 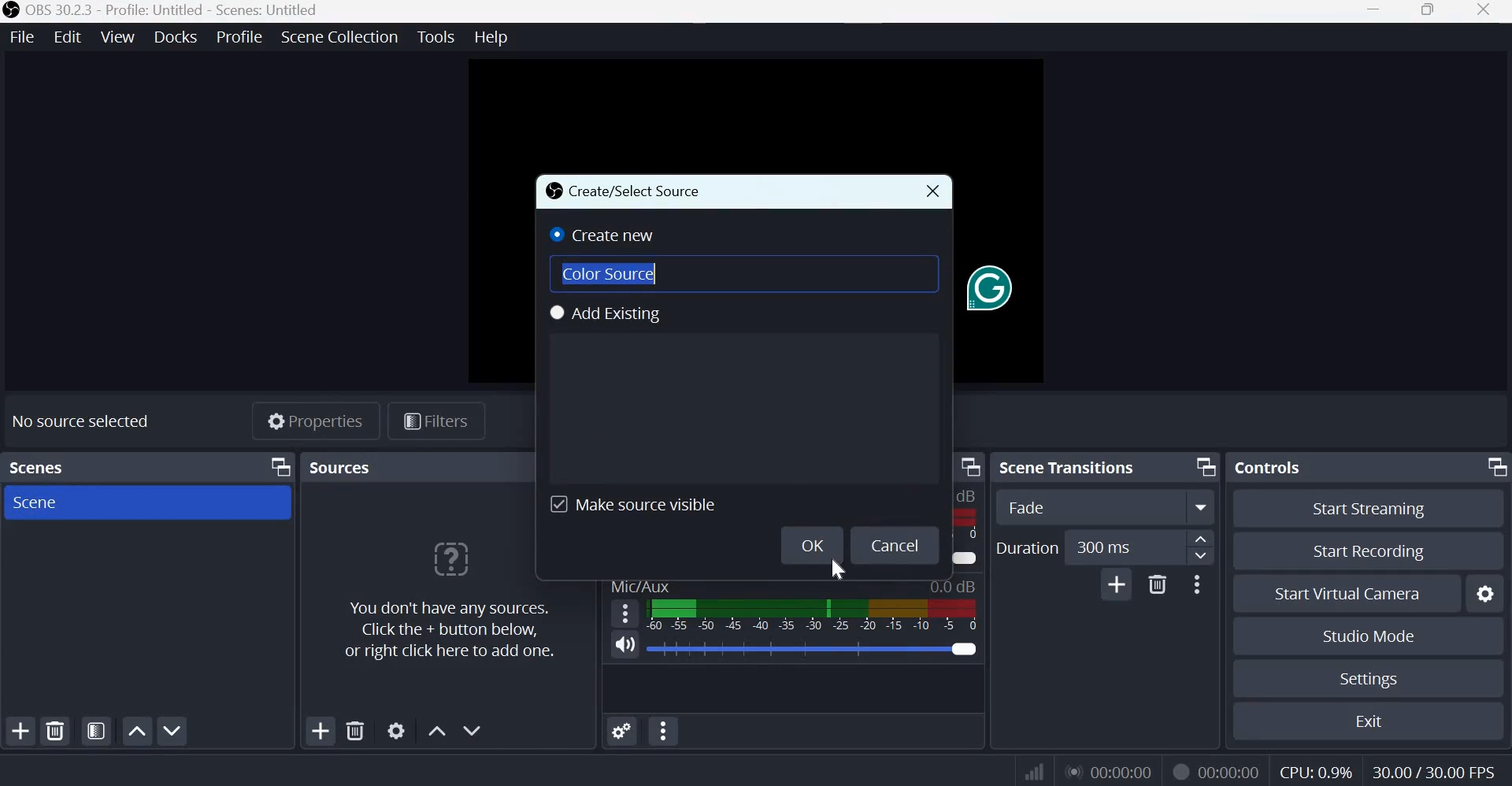 I want to click on Scene transitions, so click(x=1072, y=466).